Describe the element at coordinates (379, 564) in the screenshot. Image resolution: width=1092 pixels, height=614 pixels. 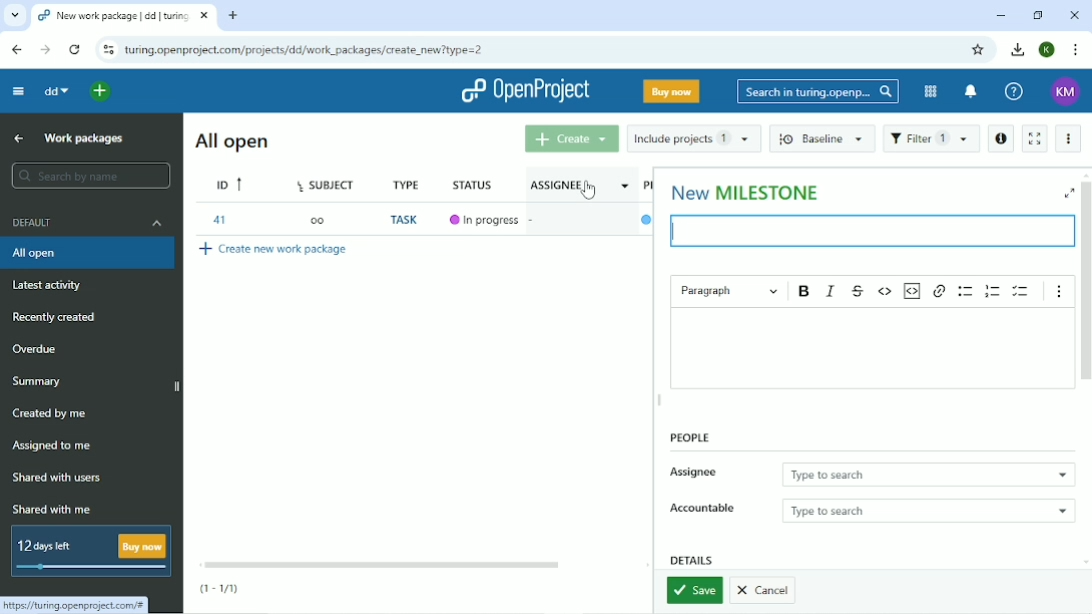
I see `Horizontal scrollbar` at that location.